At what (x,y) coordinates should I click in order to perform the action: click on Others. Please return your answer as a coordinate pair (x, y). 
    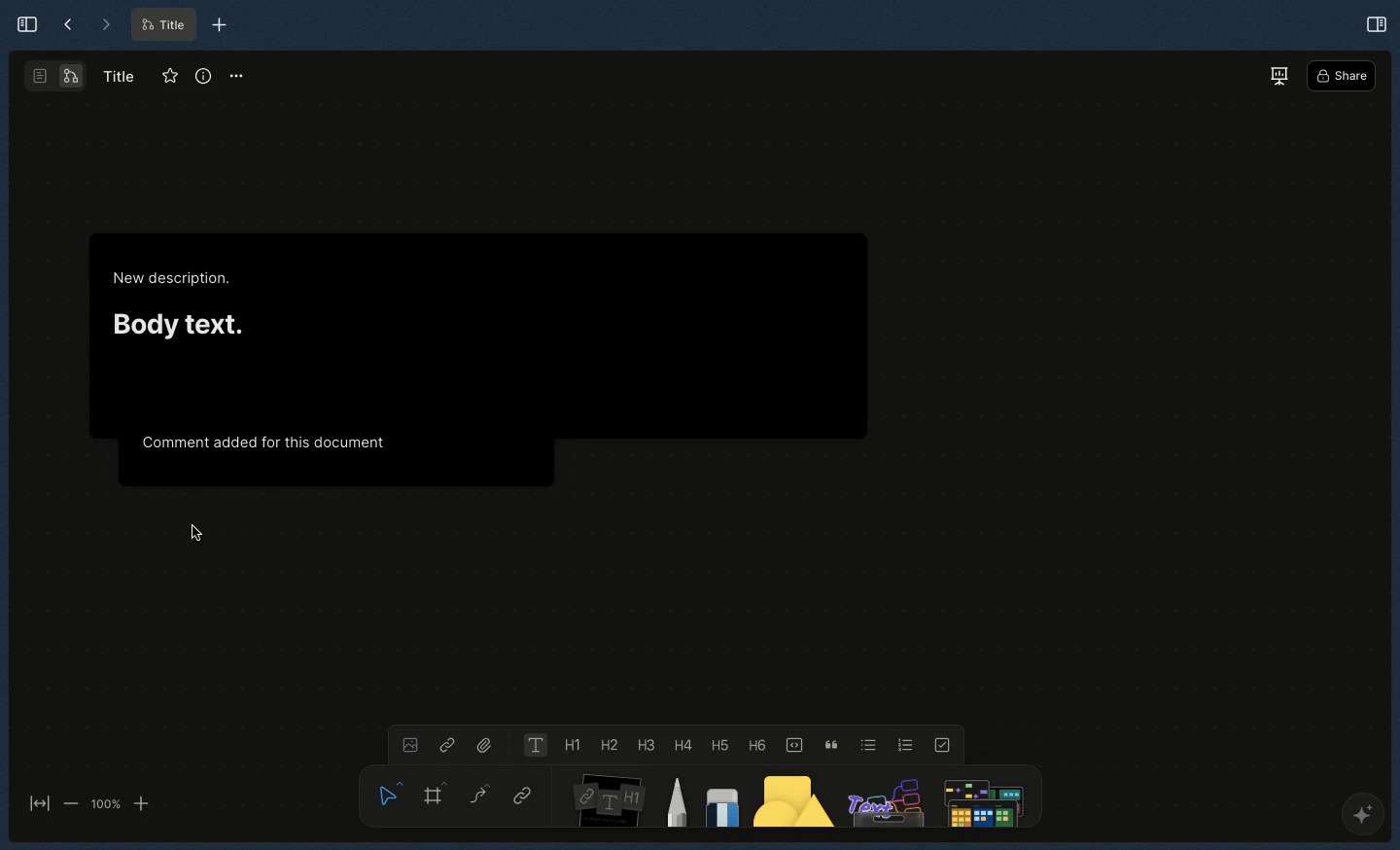
    Looking at the image, I should click on (884, 797).